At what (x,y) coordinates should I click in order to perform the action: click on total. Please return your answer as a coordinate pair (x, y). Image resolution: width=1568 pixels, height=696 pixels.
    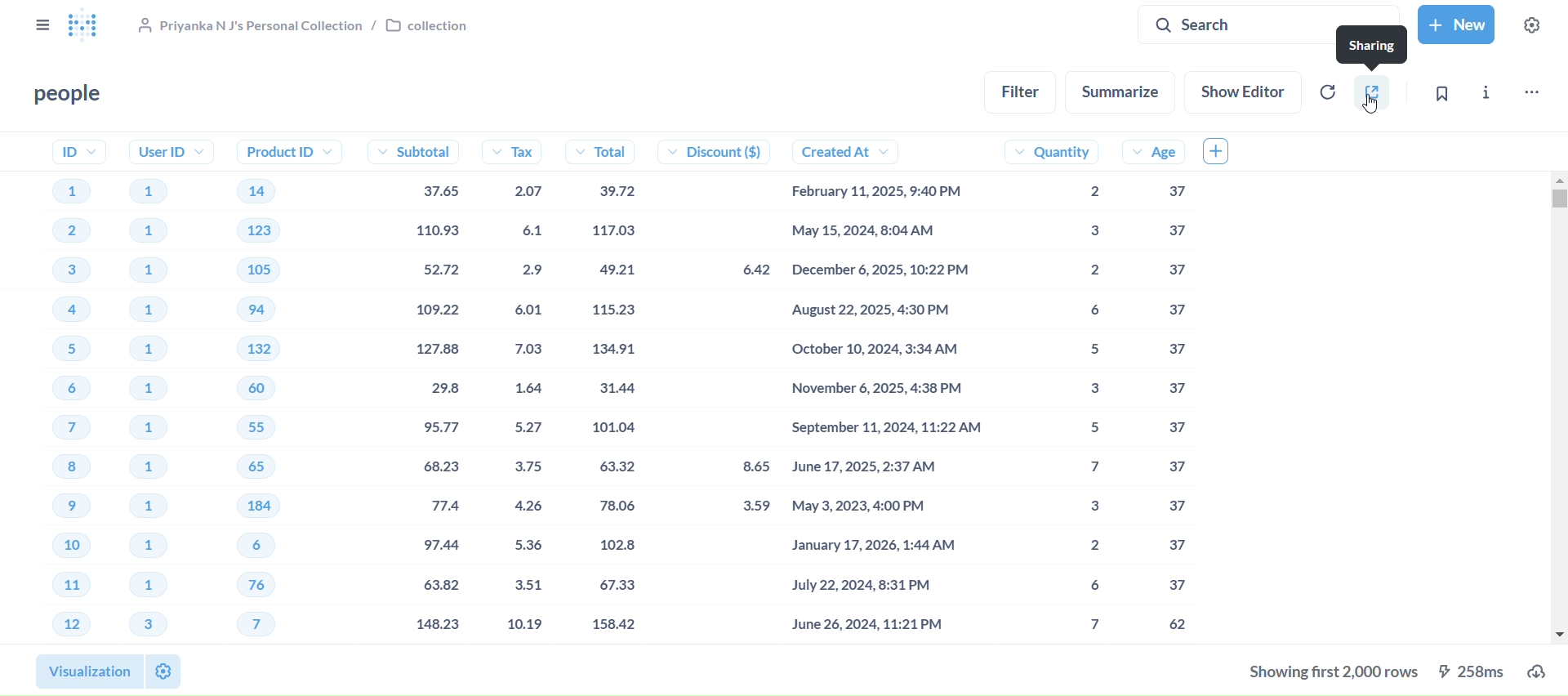
    Looking at the image, I should click on (613, 390).